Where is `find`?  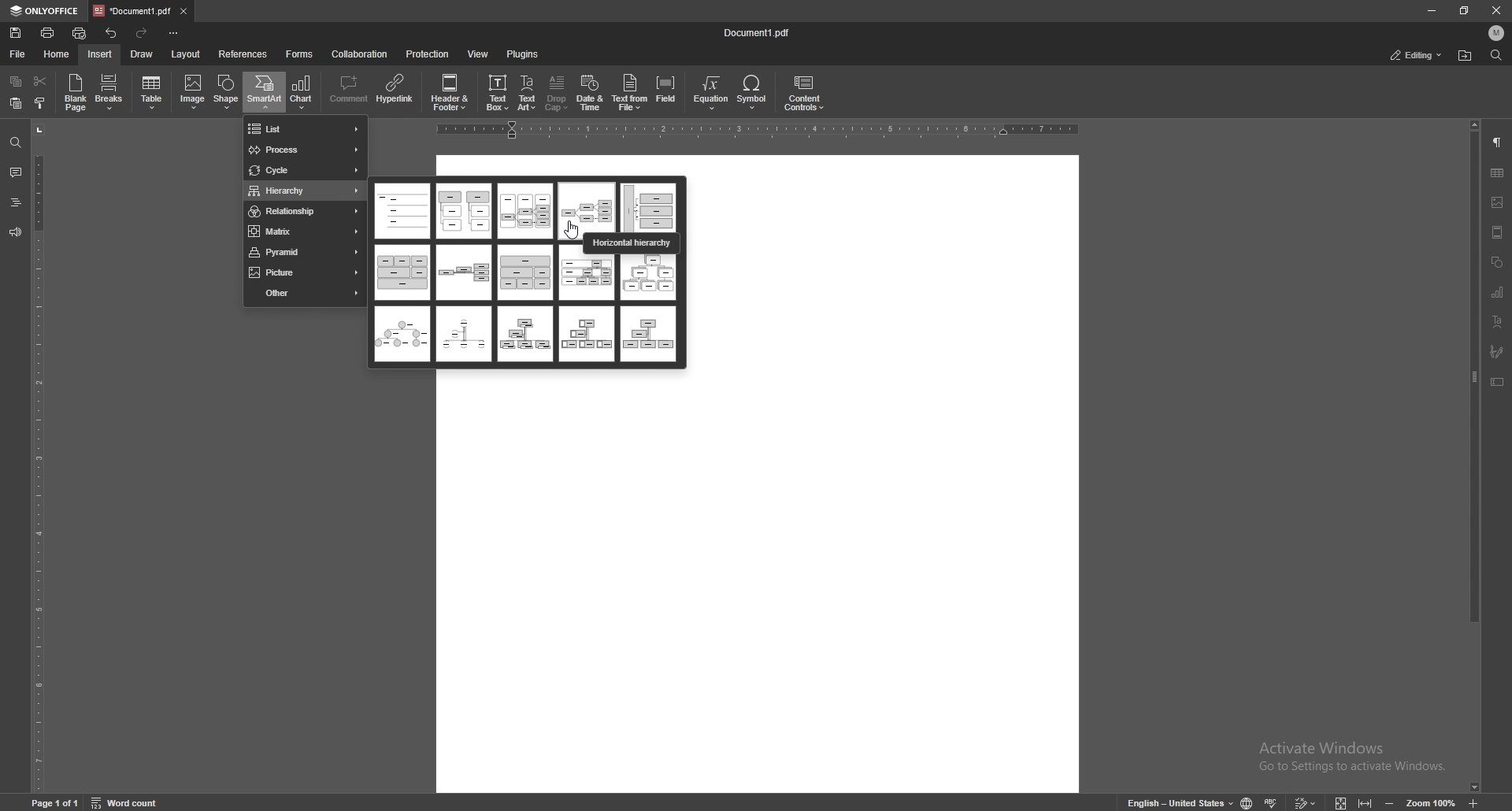
find is located at coordinates (1495, 54).